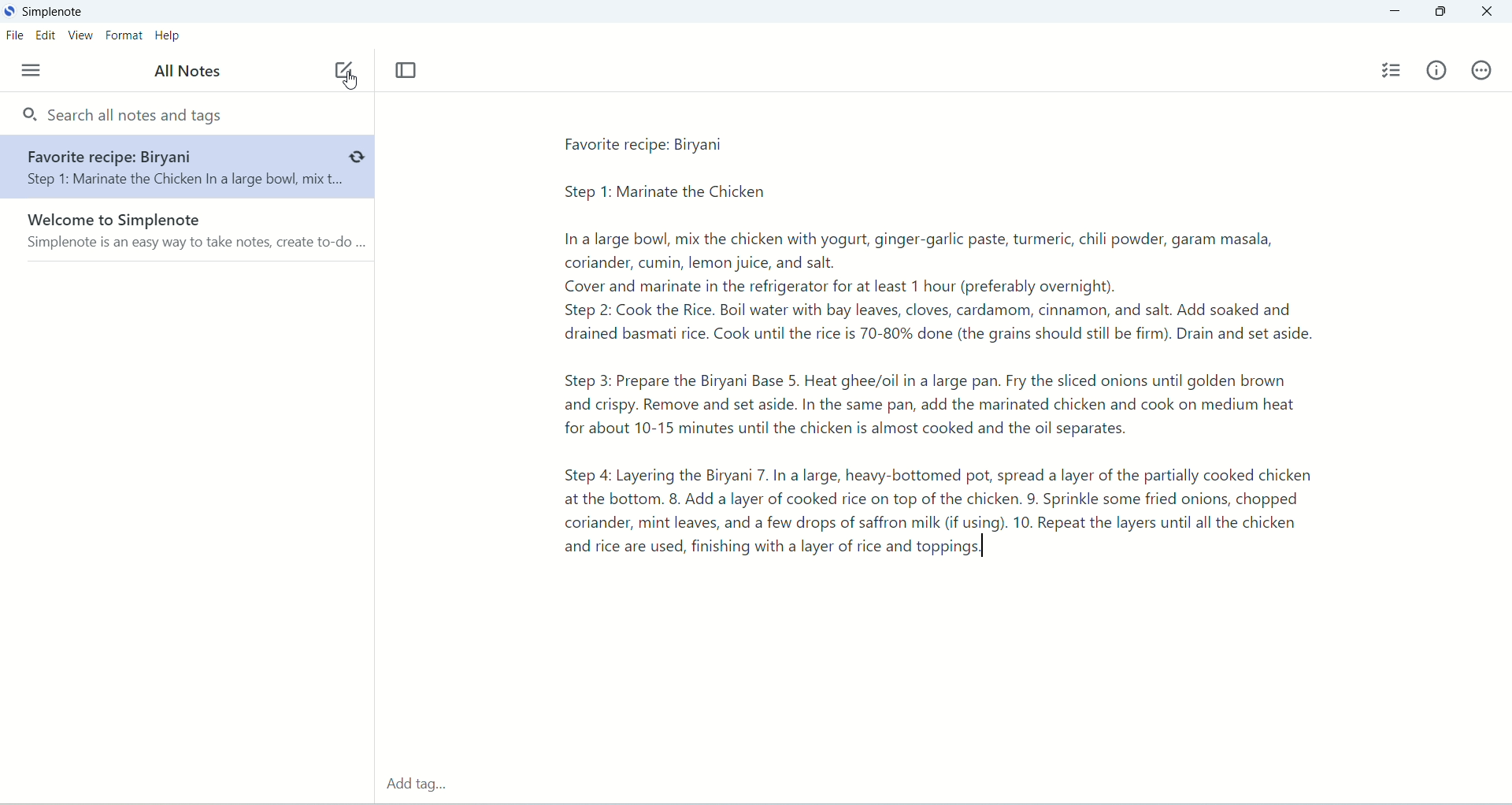 This screenshot has width=1512, height=805. What do you see at coordinates (81, 37) in the screenshot?
I see `view` at bounding box center [81, 37].